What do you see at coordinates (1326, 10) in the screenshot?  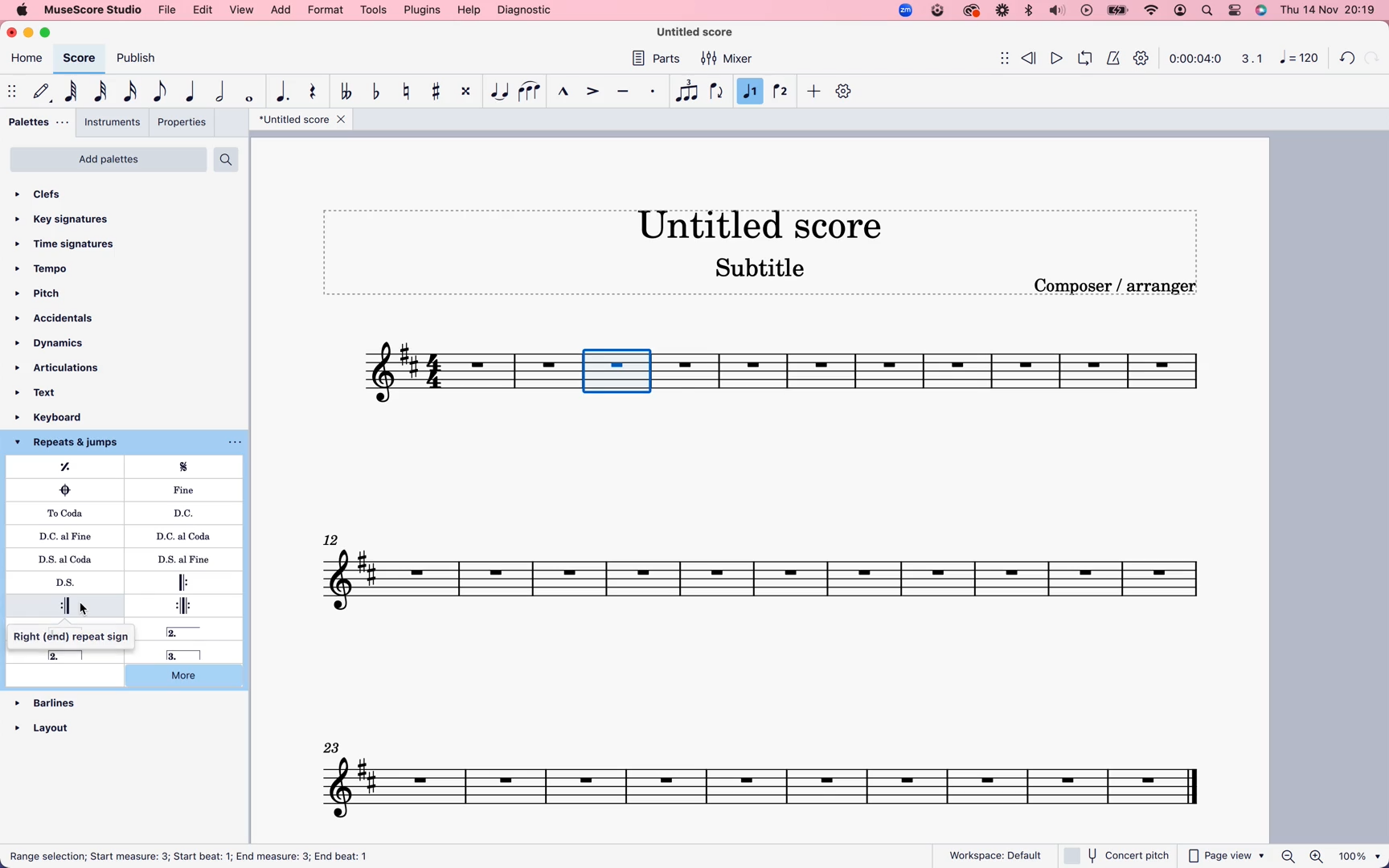 I see `date` at bounding box center [1326, 10].